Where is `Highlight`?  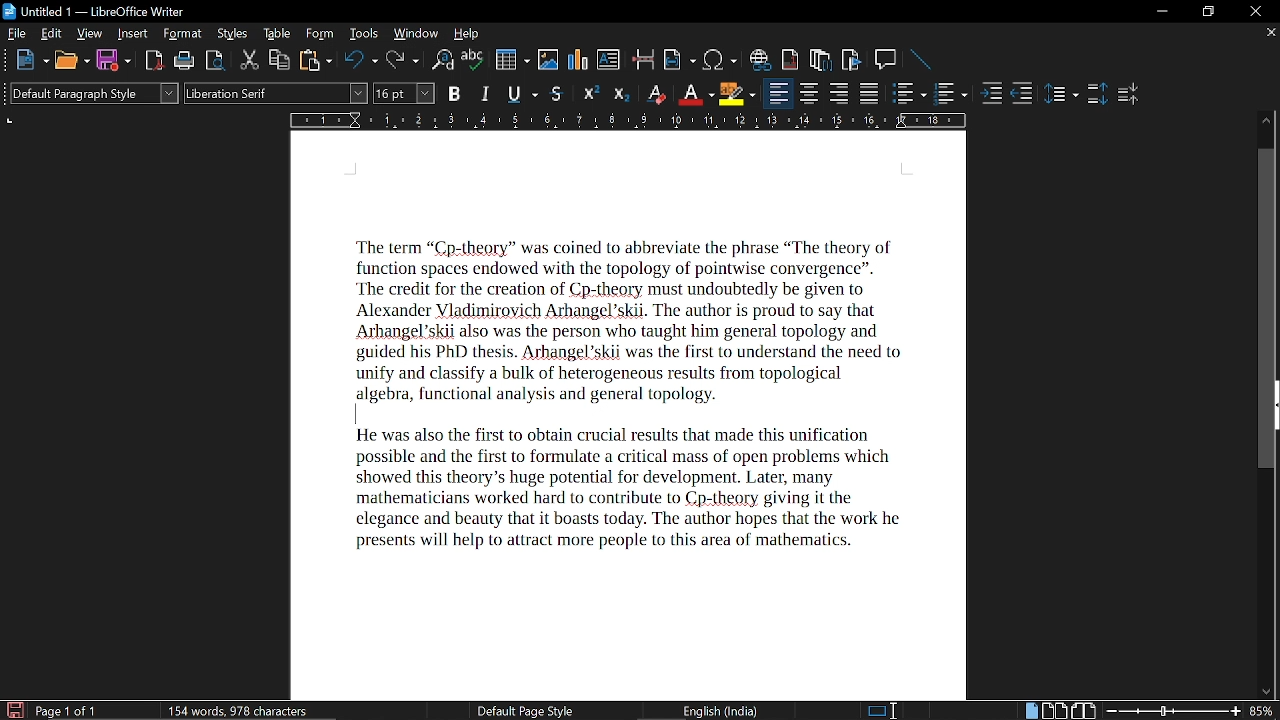
Highlight is located at coordinates (736, 93).